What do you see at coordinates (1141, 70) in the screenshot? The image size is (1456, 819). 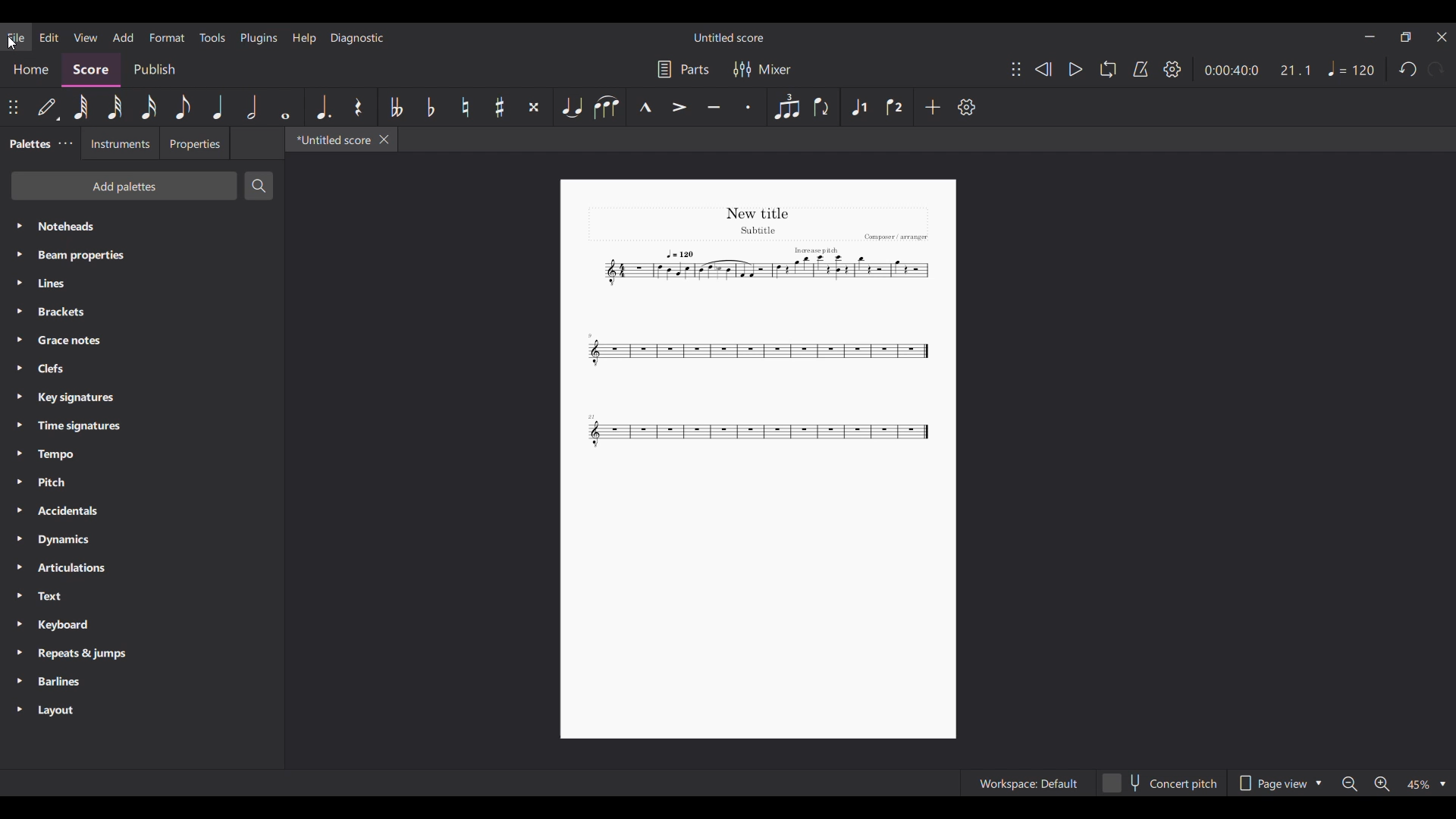 I see `Metronome` at bounding box center [1141, 70].